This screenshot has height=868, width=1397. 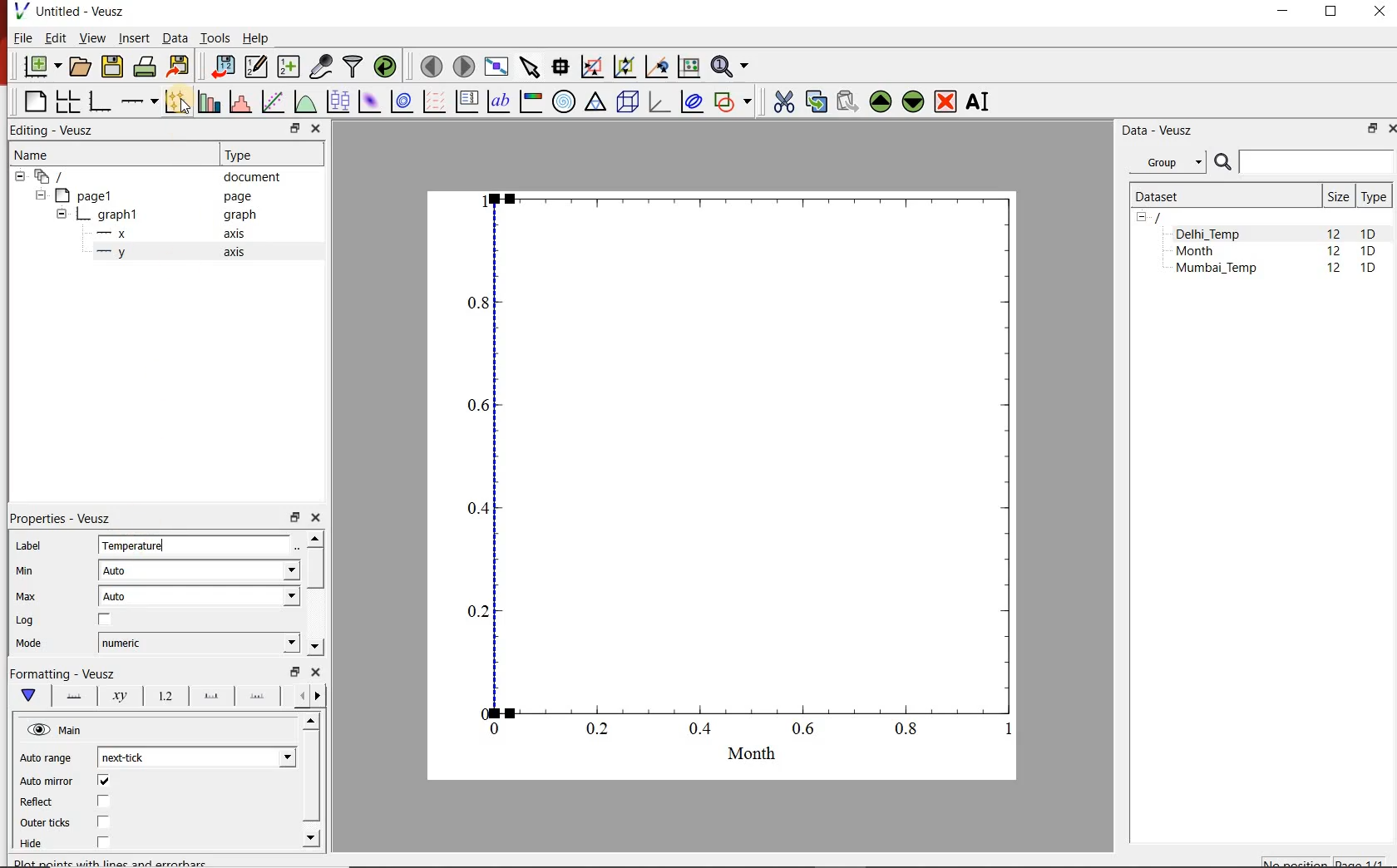 I want to click on Group, so click(x=1167, y=160).